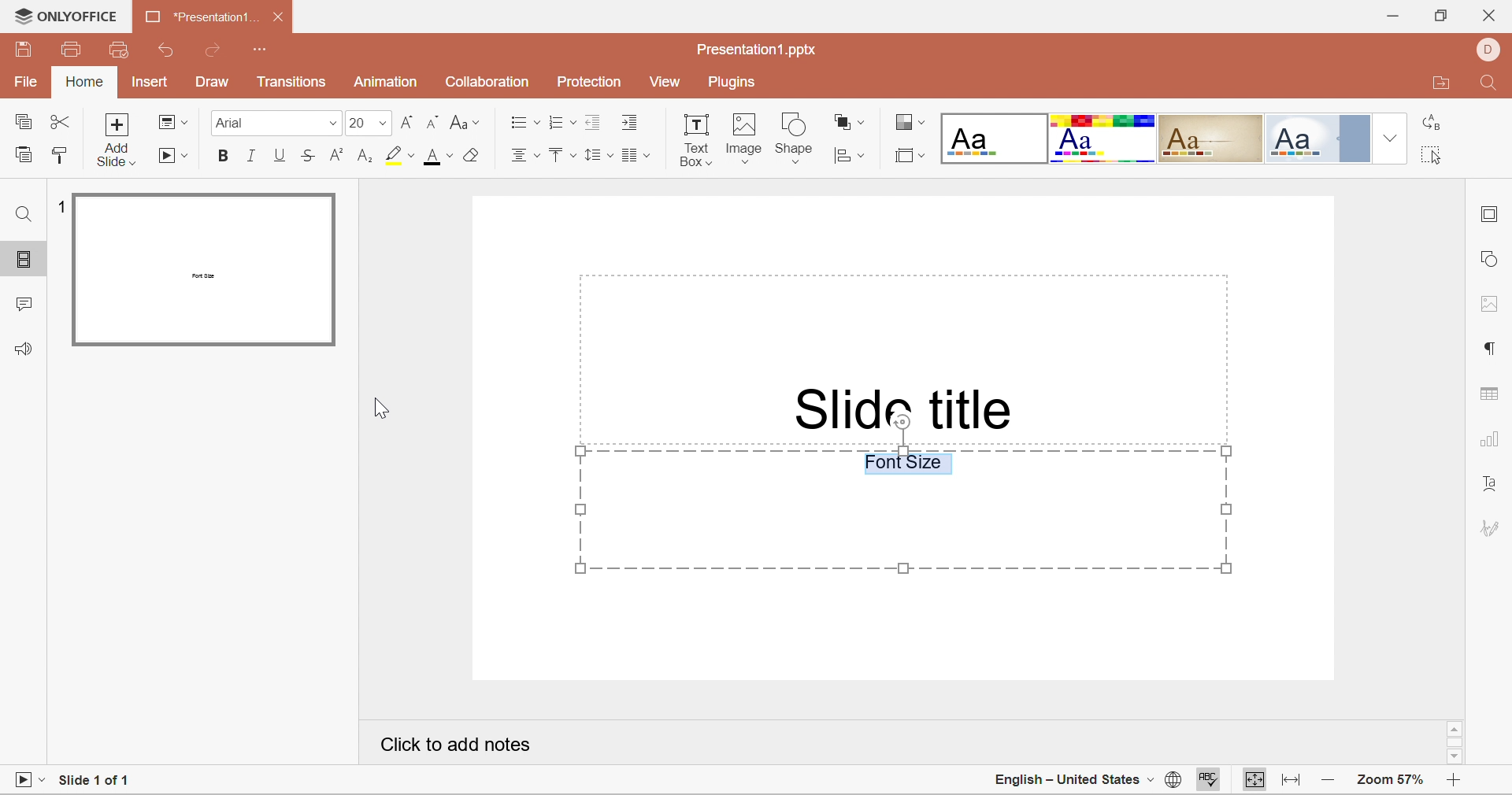  What do you see at coordinates (485, 83) in the screenshot?
I see `Collaboration` at bounding box center [485, 83].